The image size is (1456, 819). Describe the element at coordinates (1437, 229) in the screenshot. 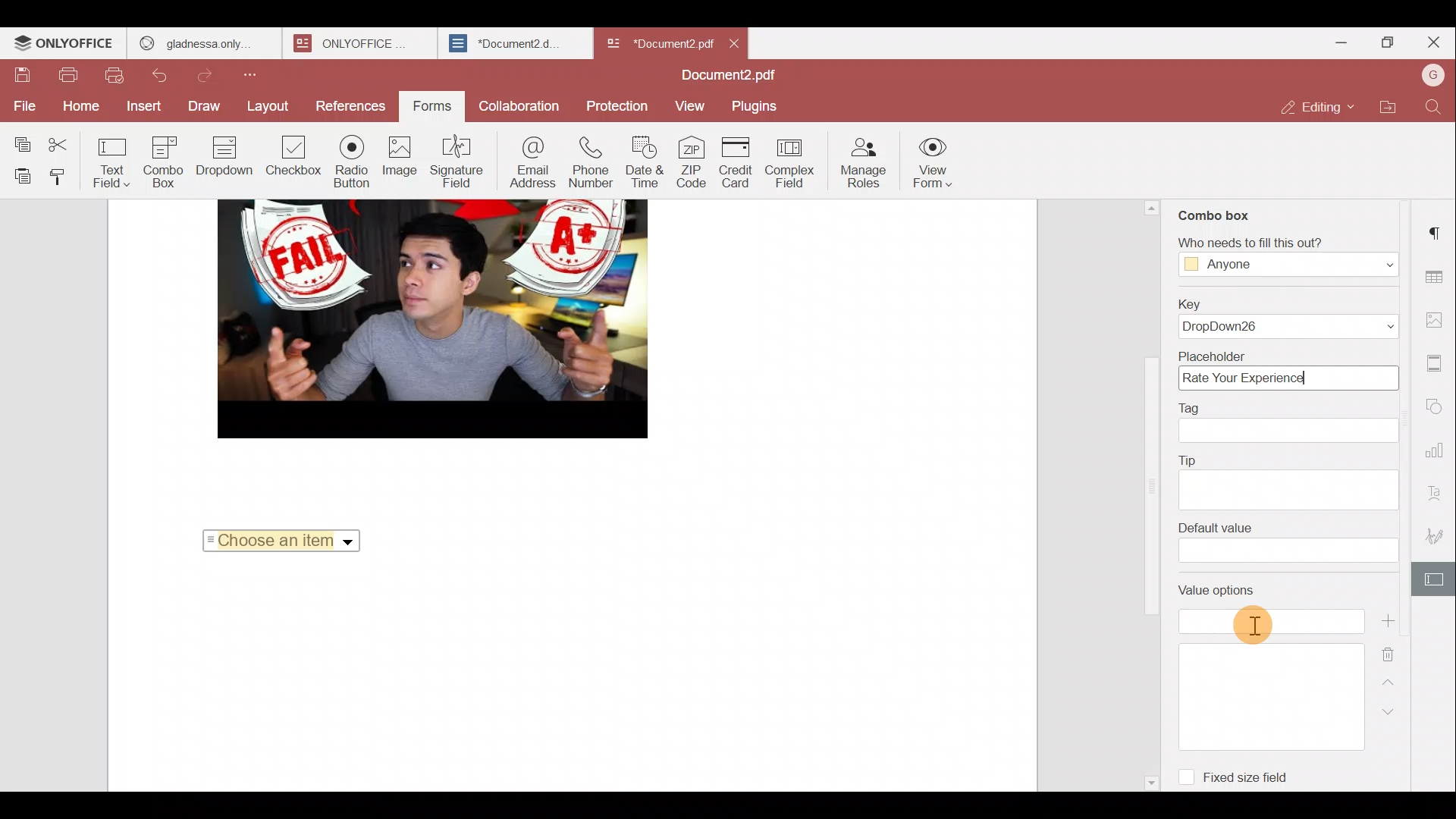

I see `Paragraph settings` at that location.